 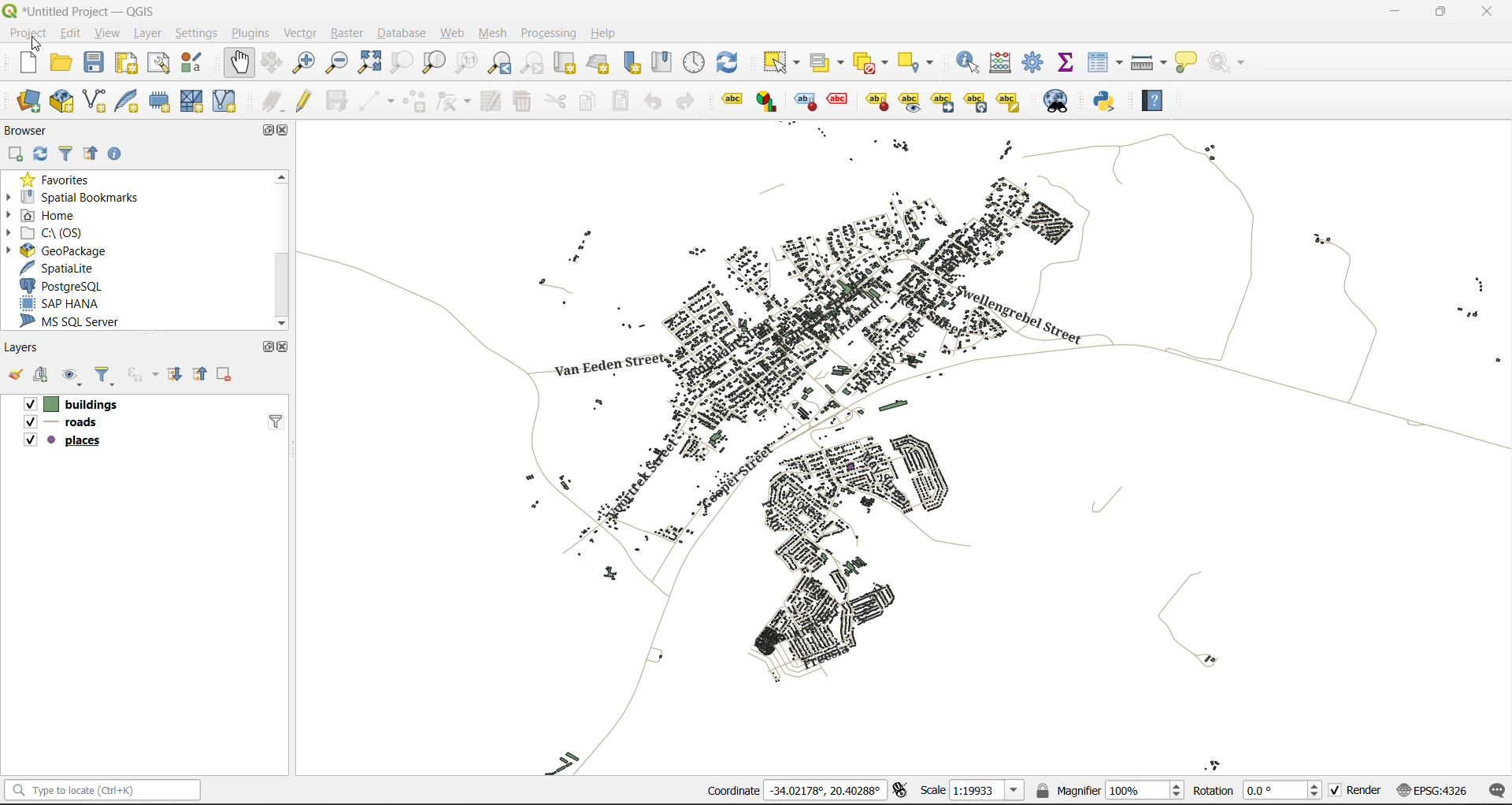 I want to click on select location, so click(x=921, y=61).